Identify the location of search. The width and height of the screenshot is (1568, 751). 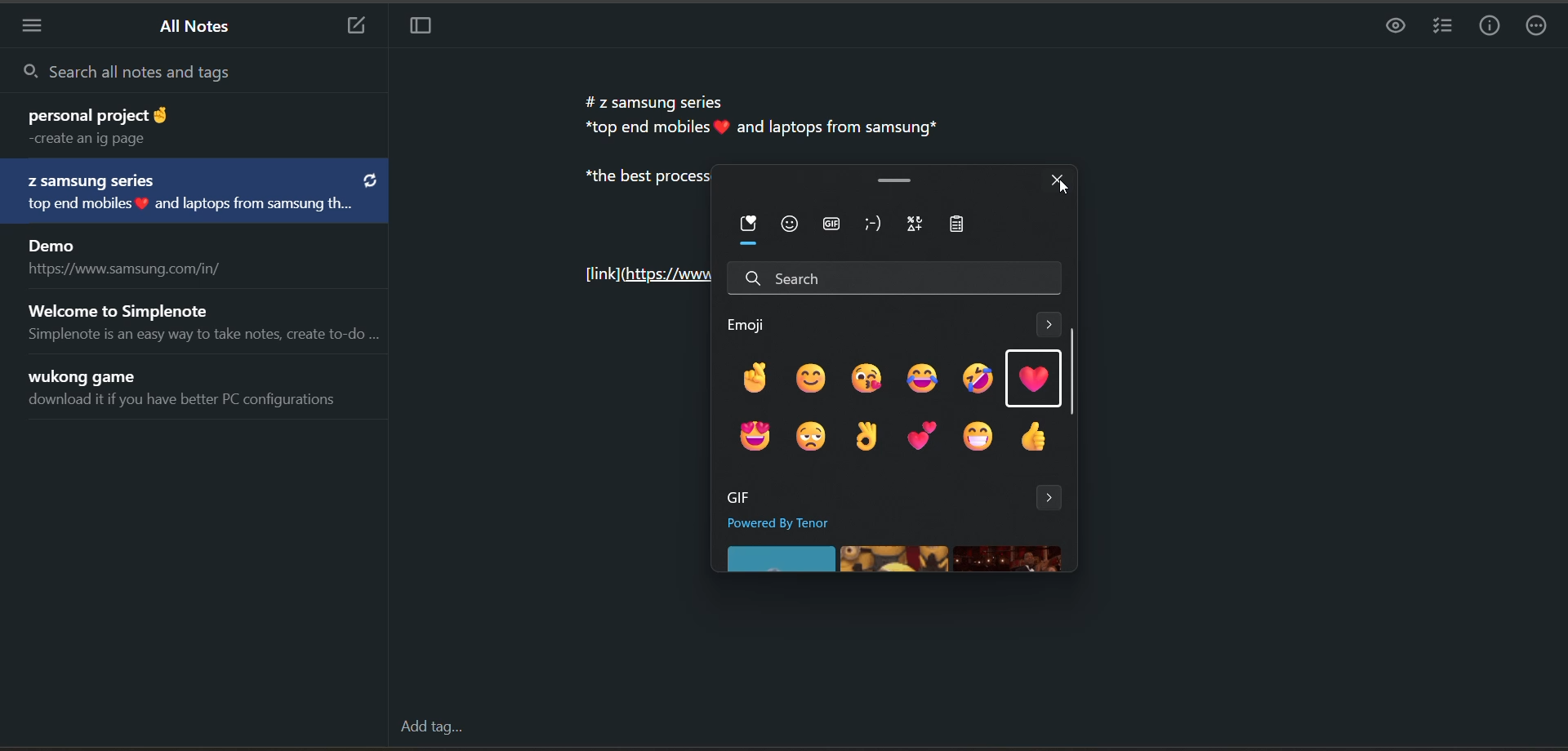
(897, 278).